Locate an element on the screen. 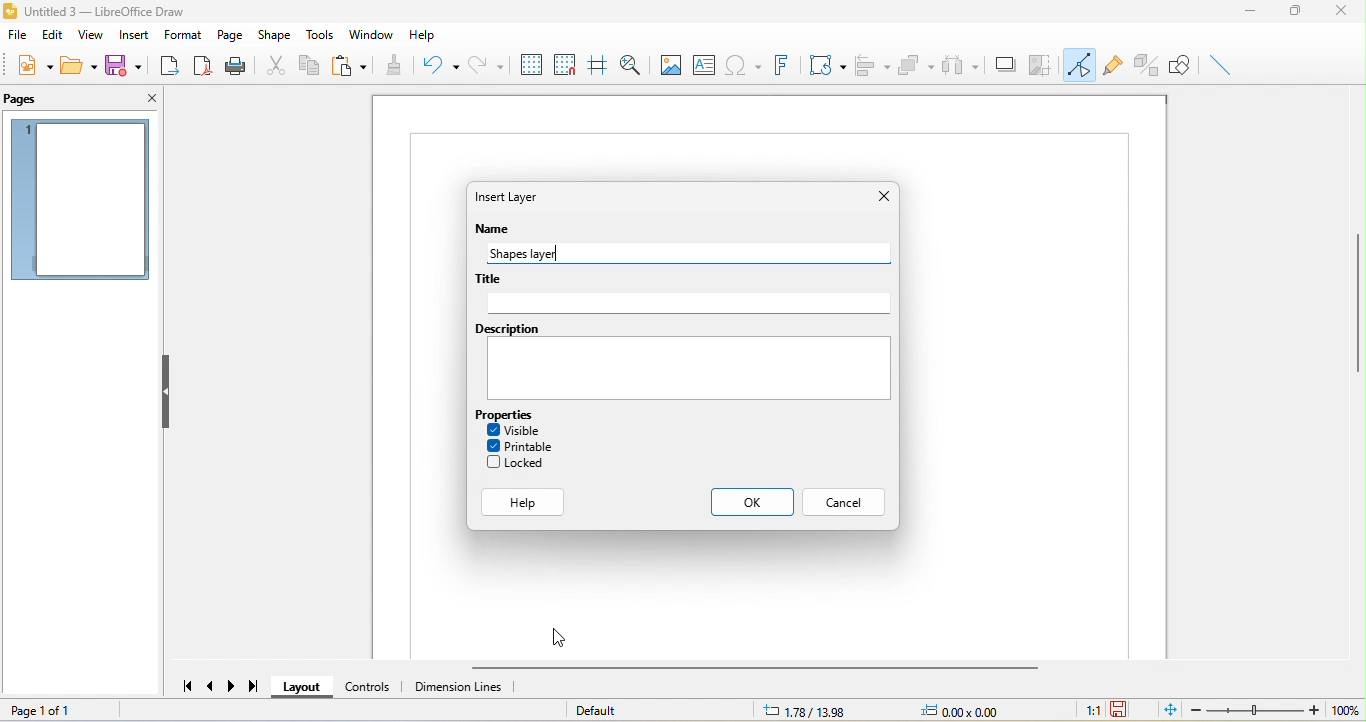  printable is located at coordinates (520, 445).